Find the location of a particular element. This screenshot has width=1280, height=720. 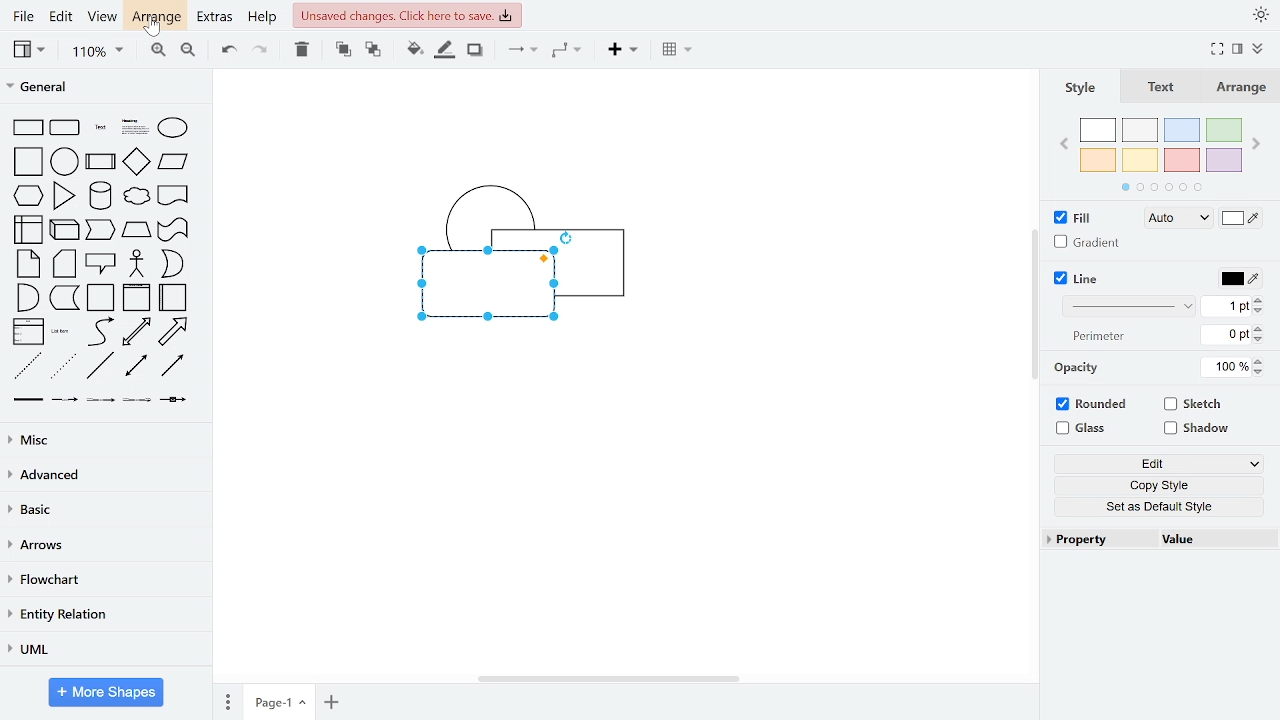

misc is located at coordinates (107, 438).